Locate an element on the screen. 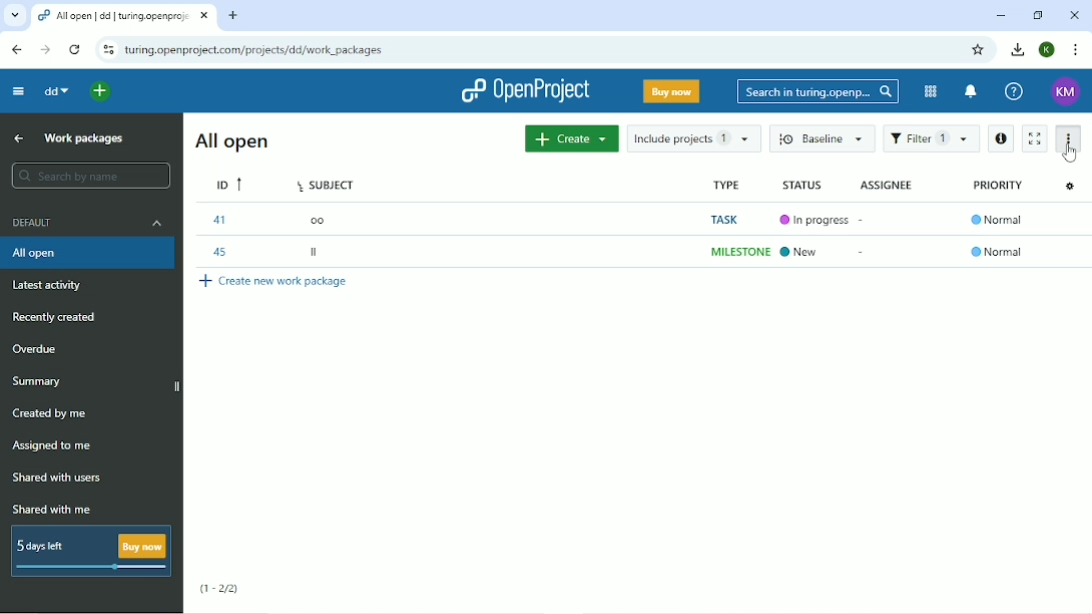 The height and width of the screenshot is (614, 1092). Search by name is located at coordinates (90, 175).